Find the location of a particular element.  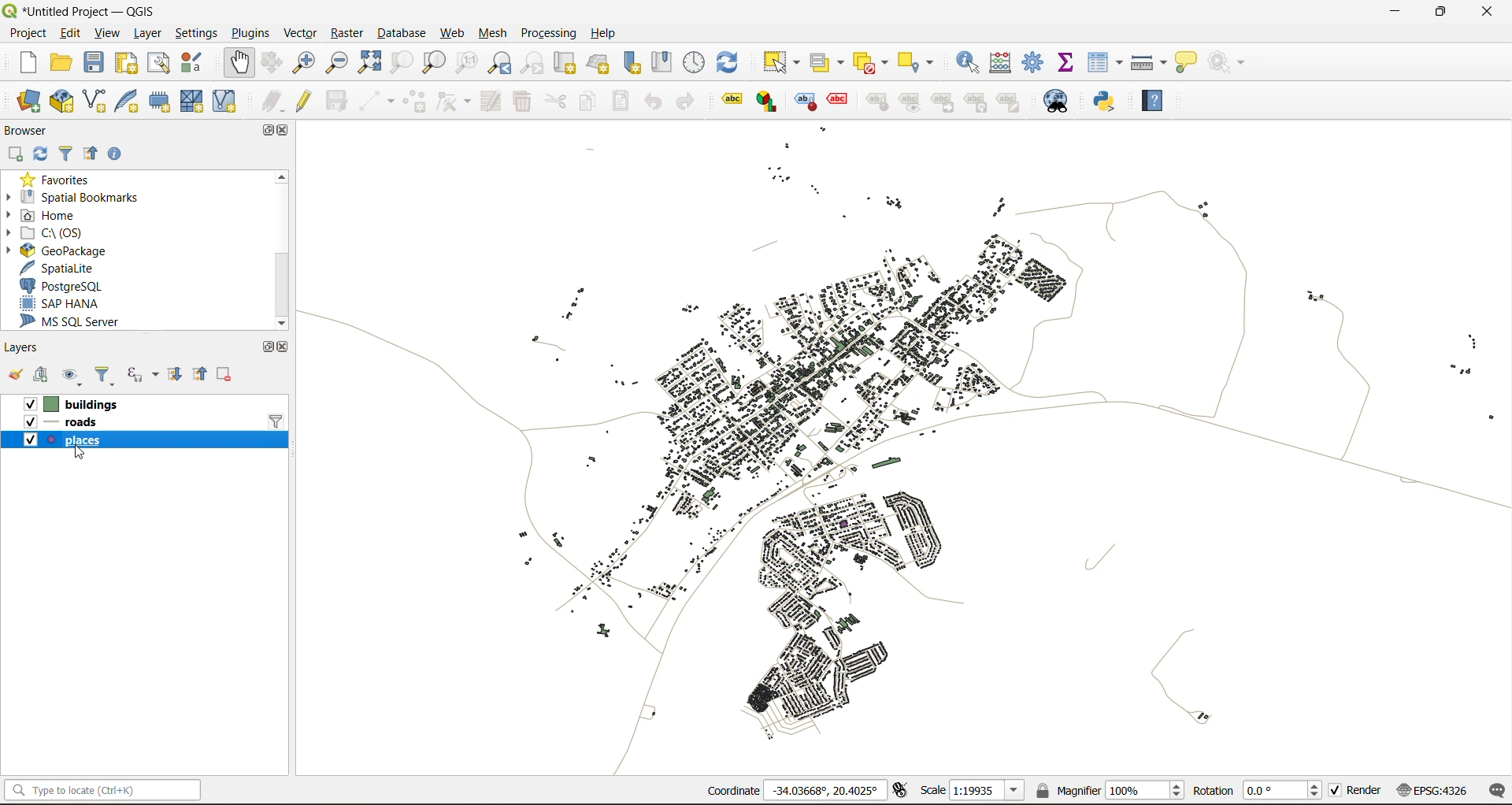

coordinates is located at coordinates (791, 789).